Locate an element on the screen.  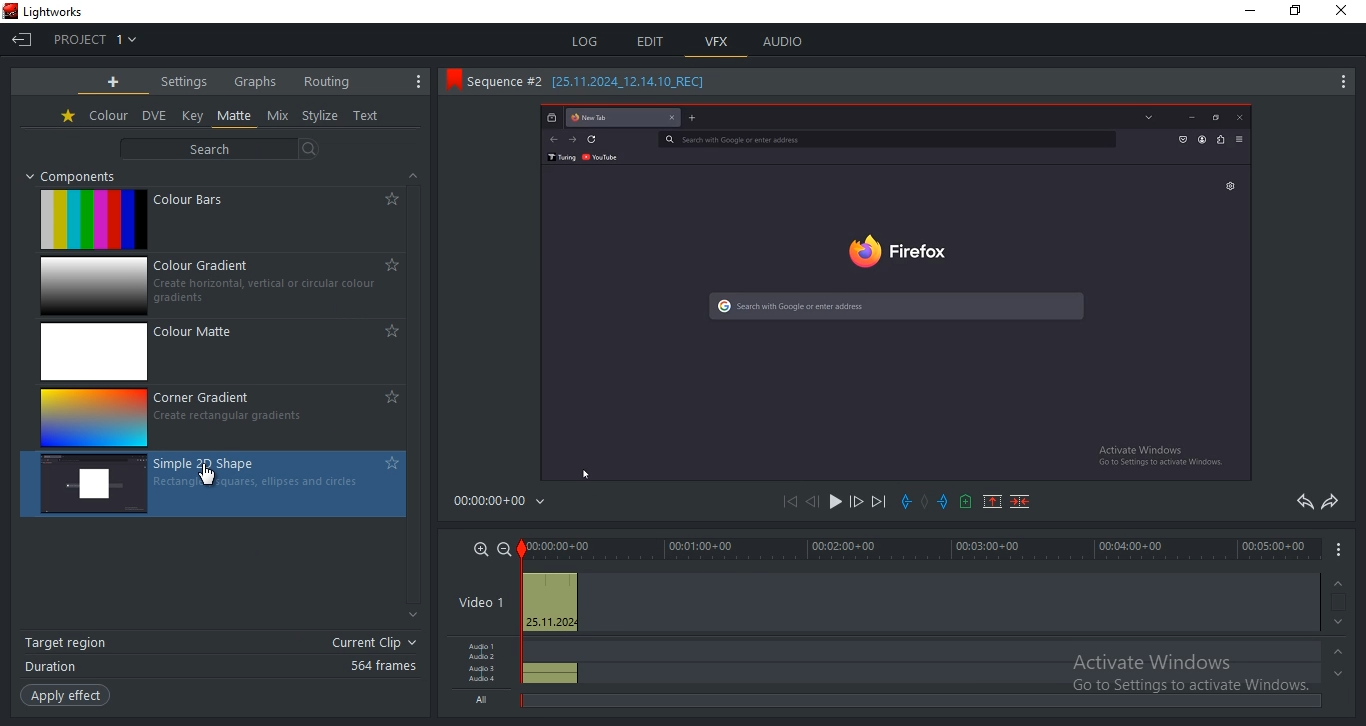
video 1 is located at coordinates (477, 604).